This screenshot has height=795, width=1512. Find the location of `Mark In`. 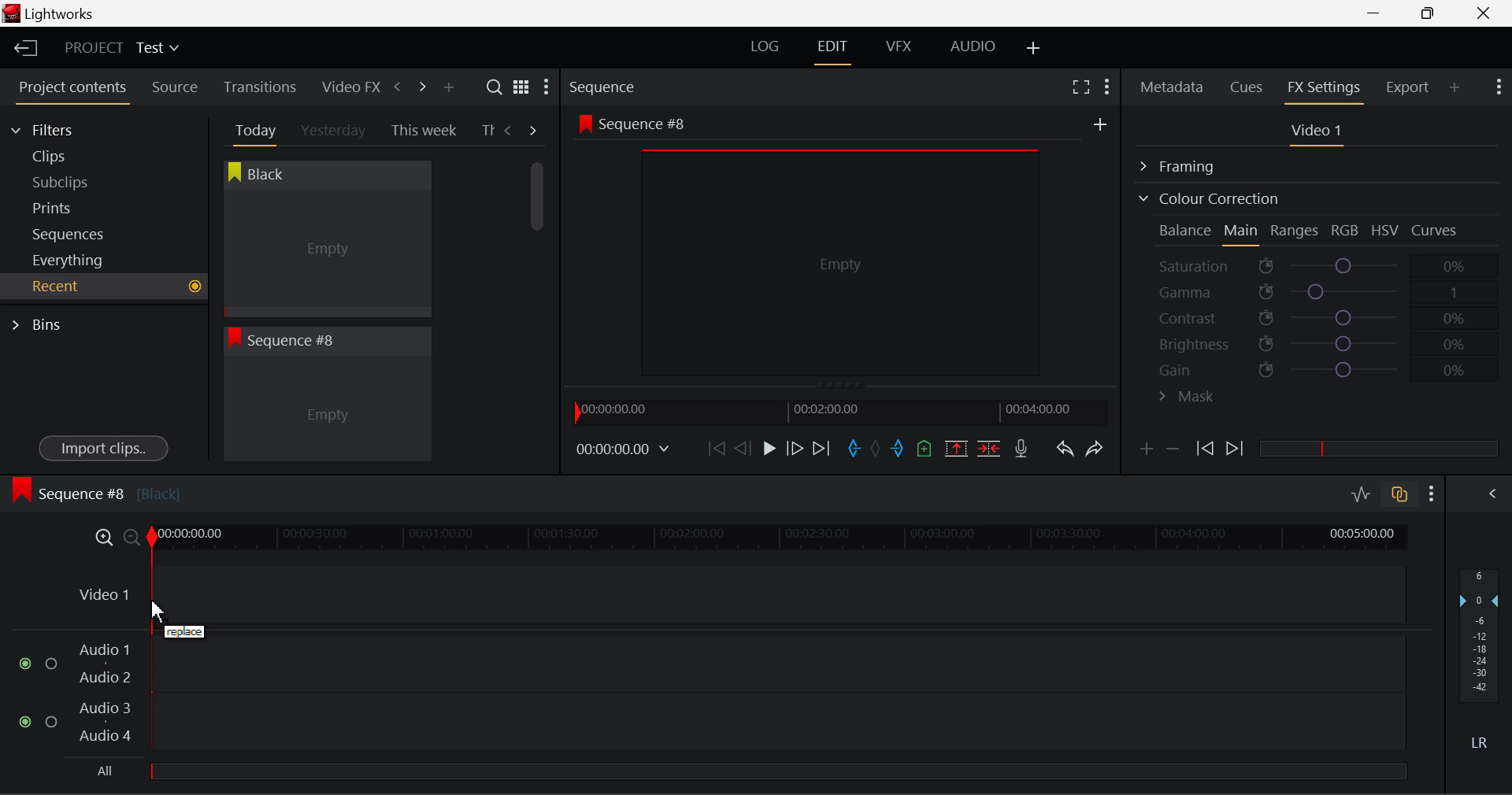

Mark In is located at coordinates (855, 449).